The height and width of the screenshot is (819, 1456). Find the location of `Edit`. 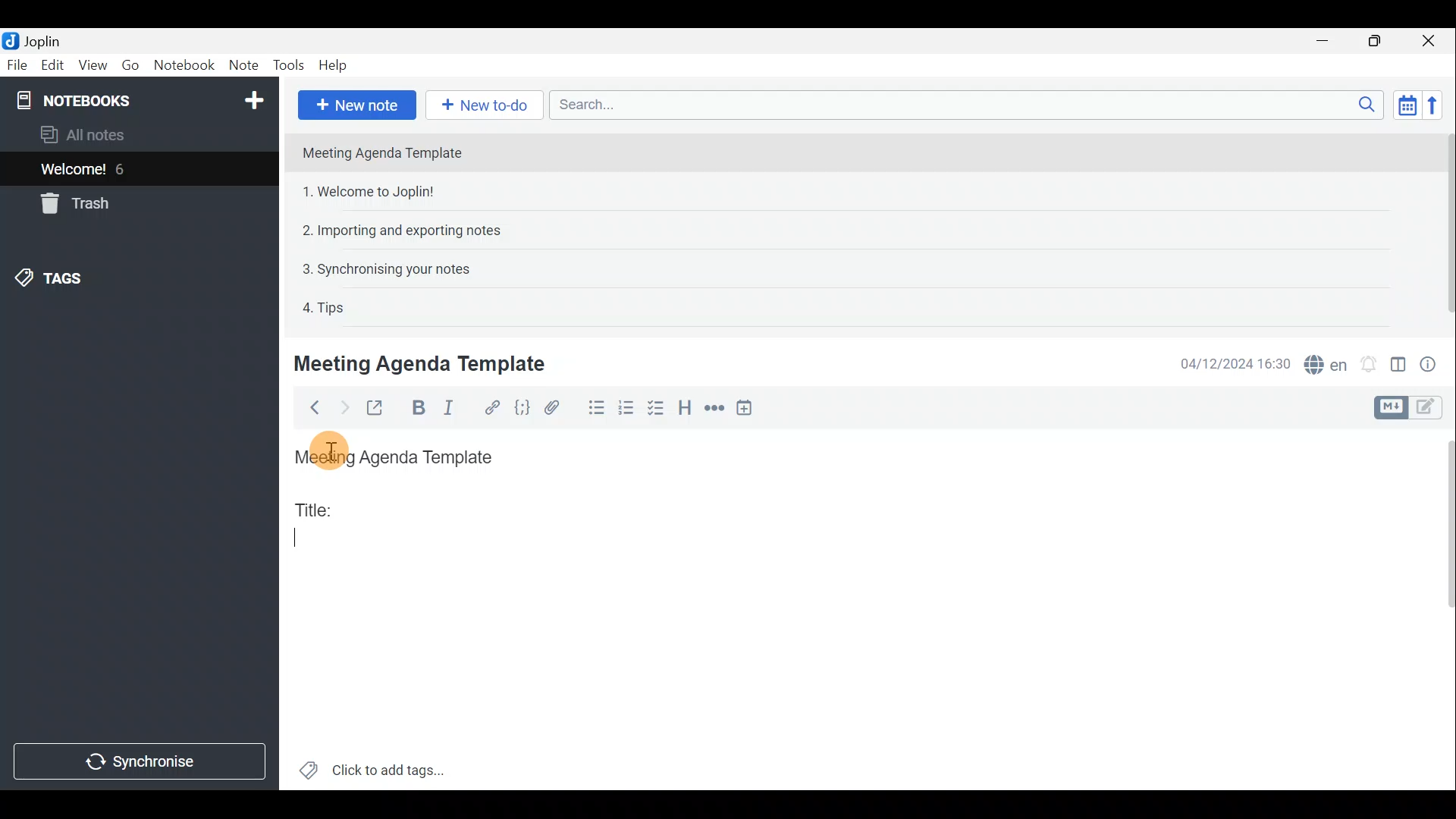

Edit is located at coordinates (53, 67).